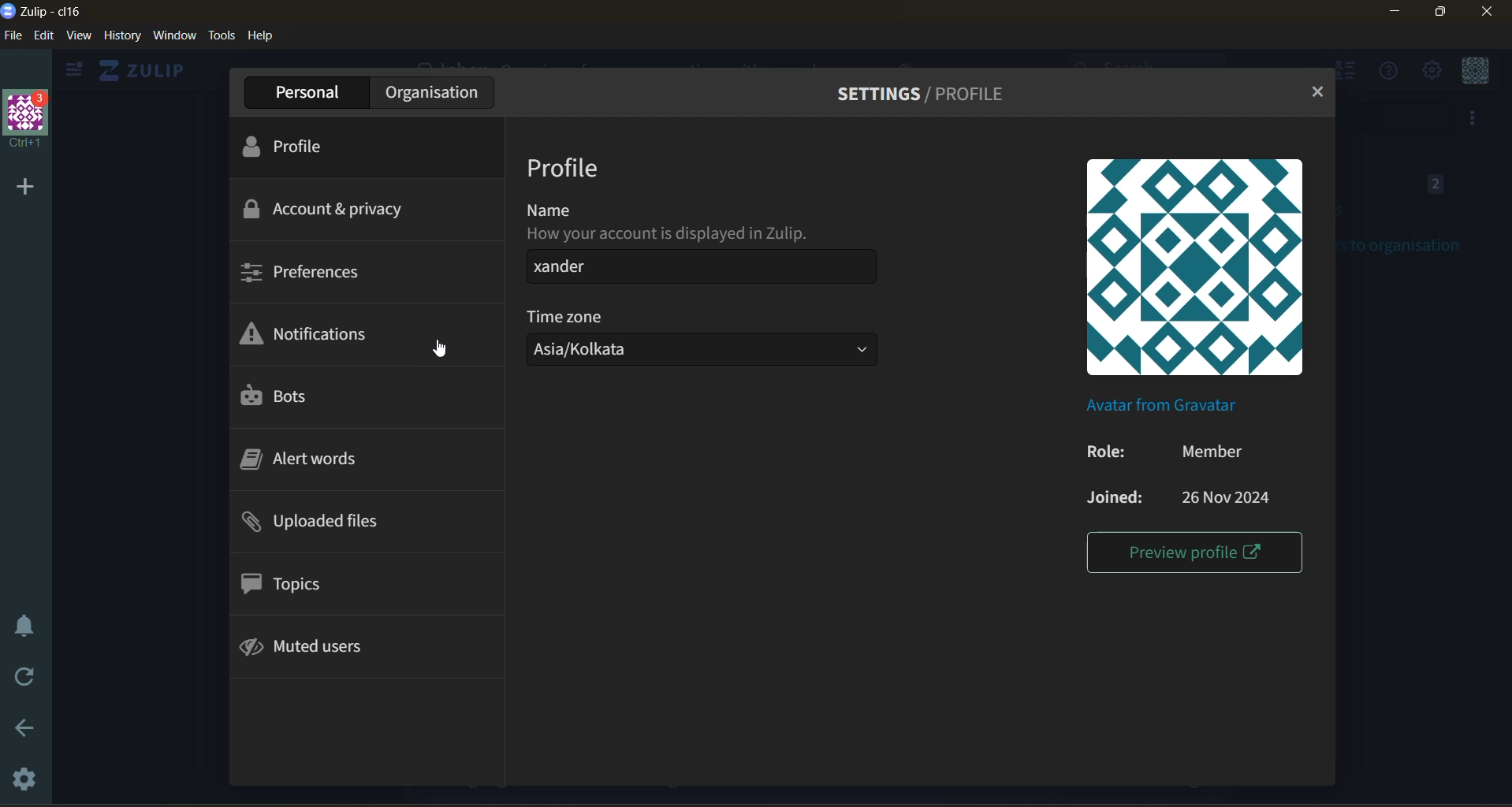 The image size is (1512, 807). I want to click on uploaded files, so click(324, 523).